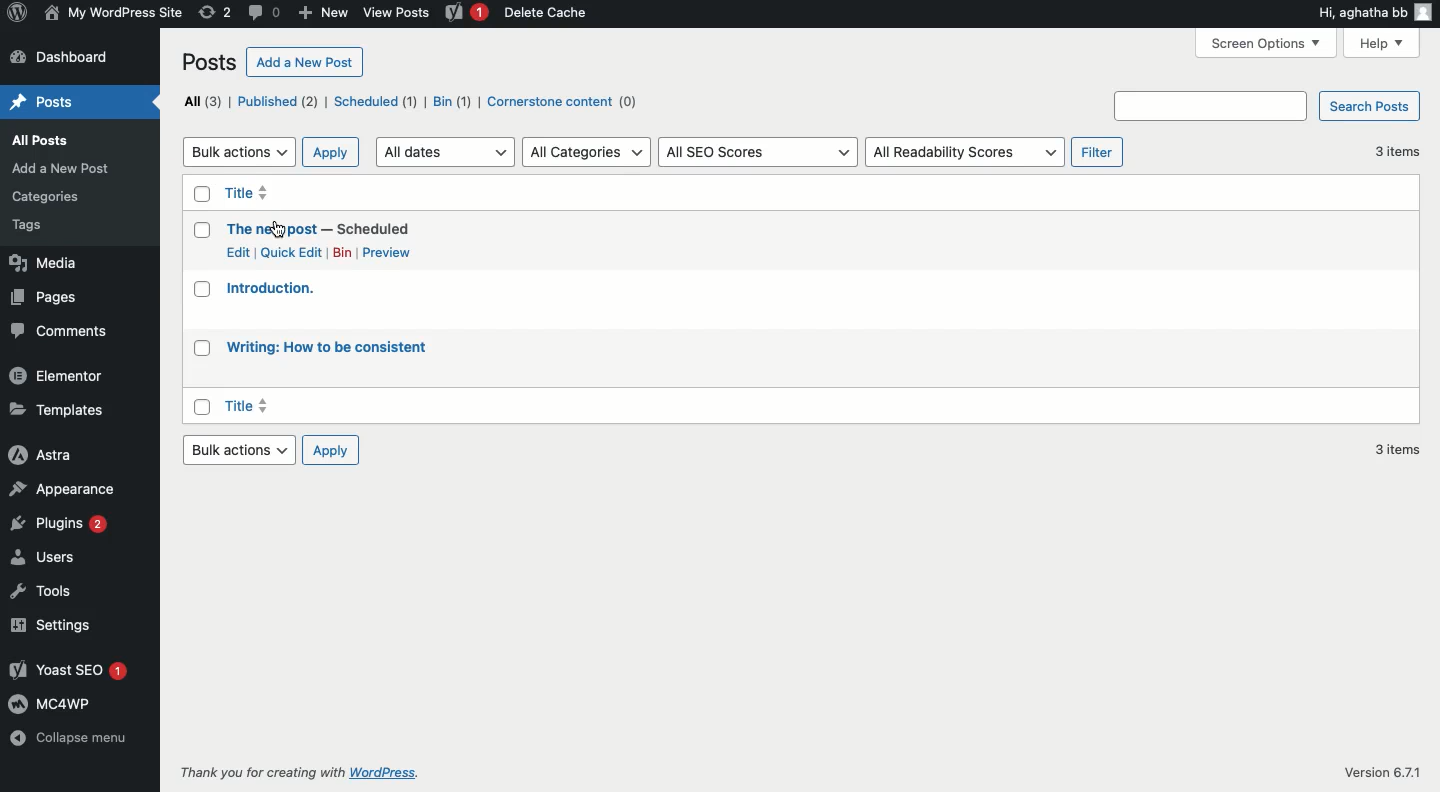 This screenshot has height=792, width=1440. What do you see at coordinates (305, 61) in the screenshot?
I see `Add a new posts` at bounding box center [305, 61].